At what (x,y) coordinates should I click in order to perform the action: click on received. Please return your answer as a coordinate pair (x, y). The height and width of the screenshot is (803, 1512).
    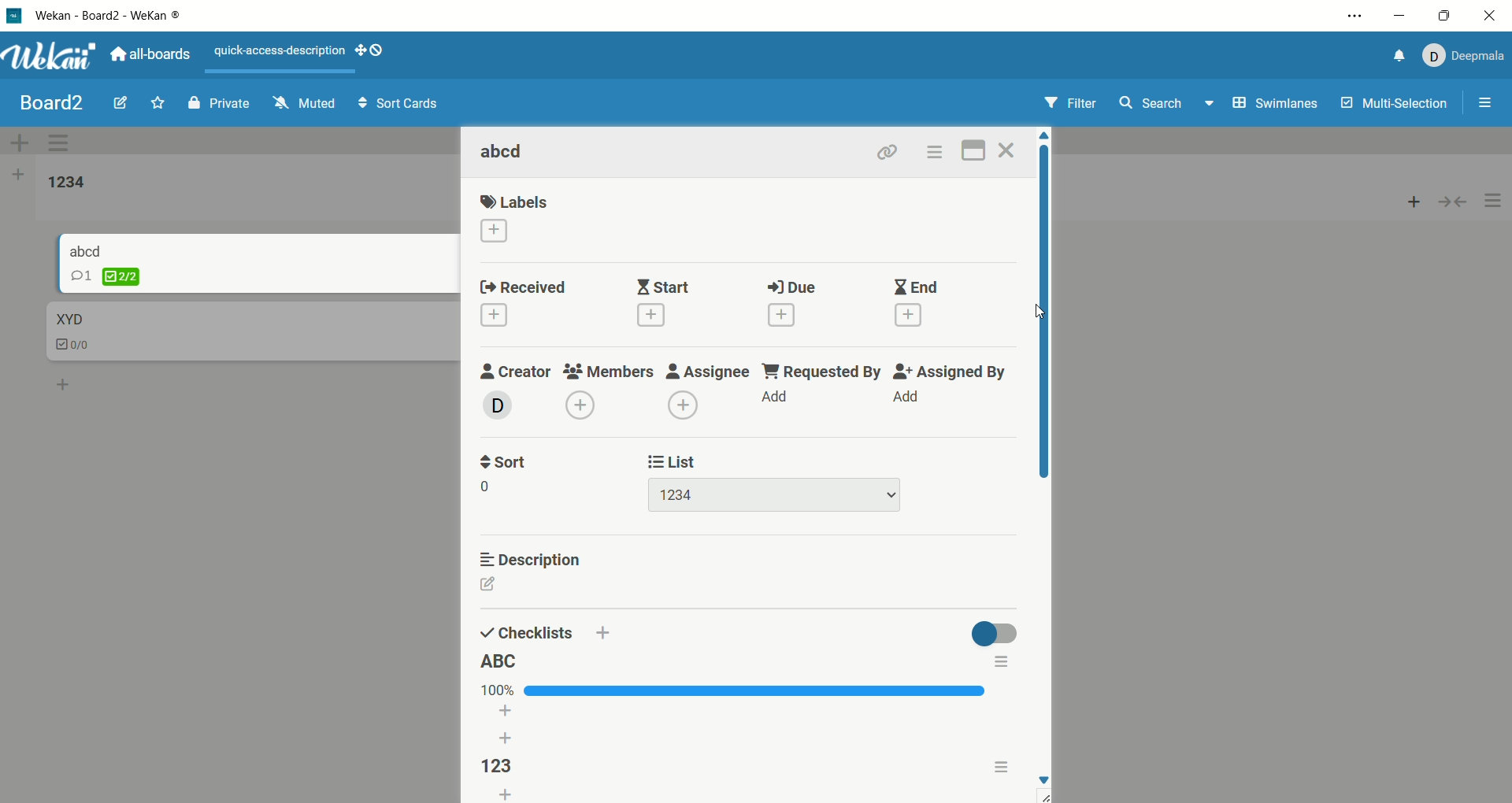
    Looking at the image, I should click on (522, 288).